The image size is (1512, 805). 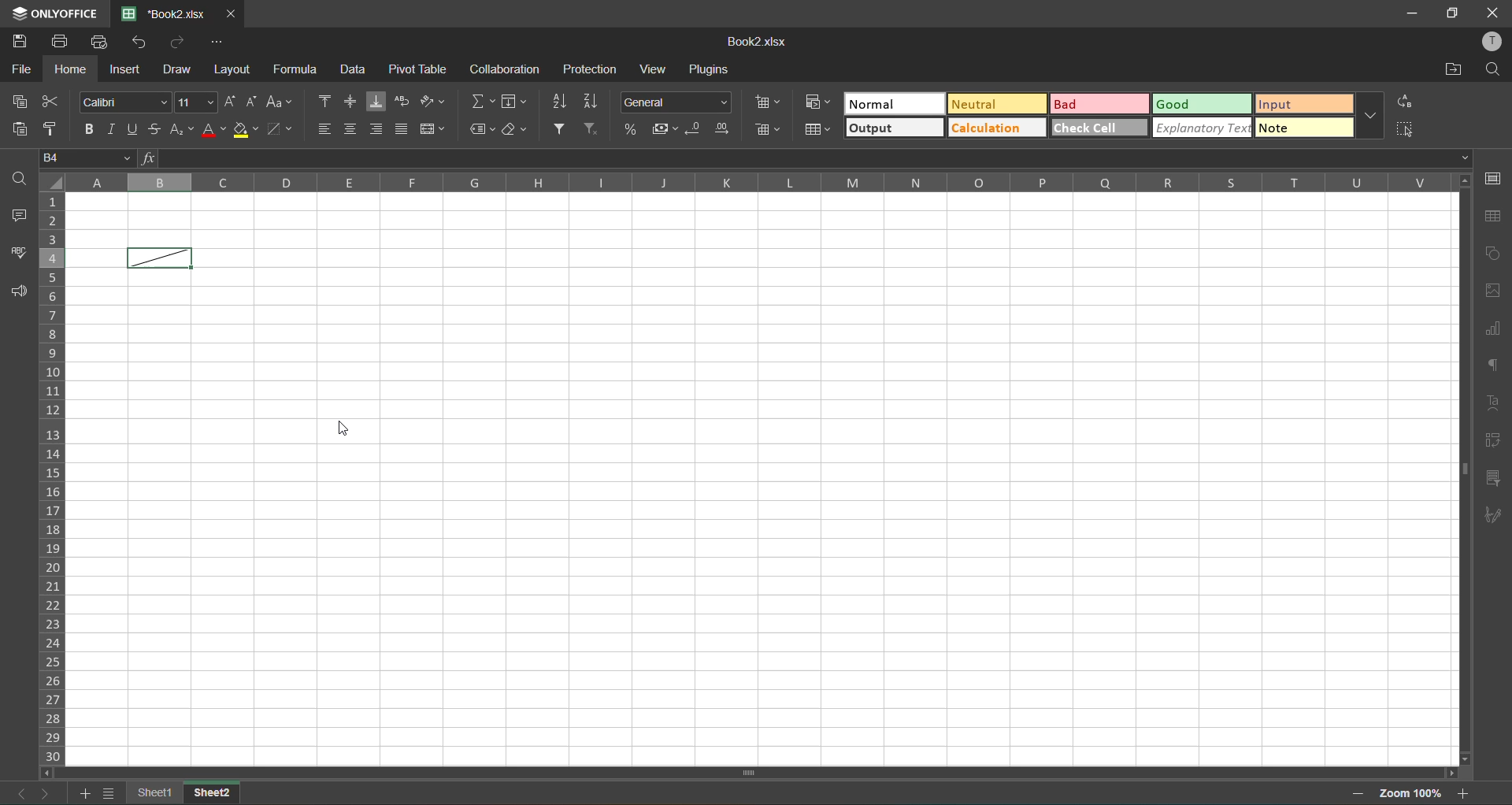 I want to click on neutral, so click(x=995, y=106).